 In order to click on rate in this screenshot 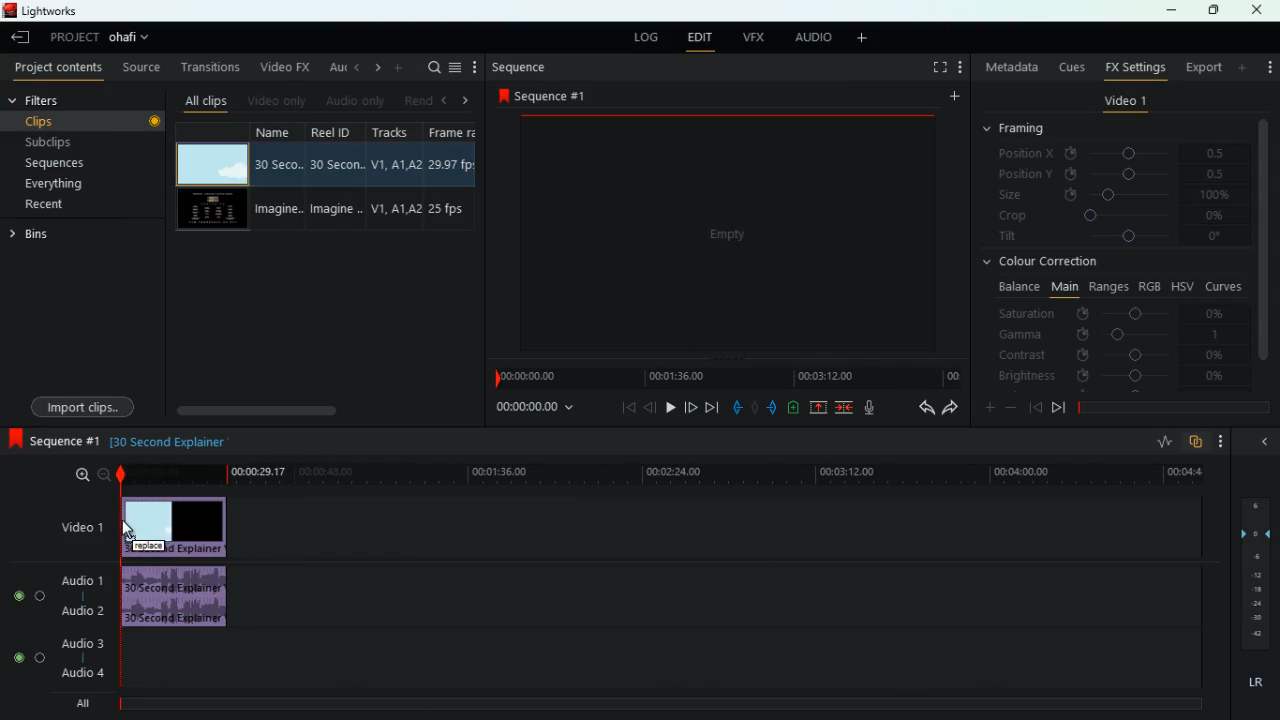, I will do `click(1163, 444)`.